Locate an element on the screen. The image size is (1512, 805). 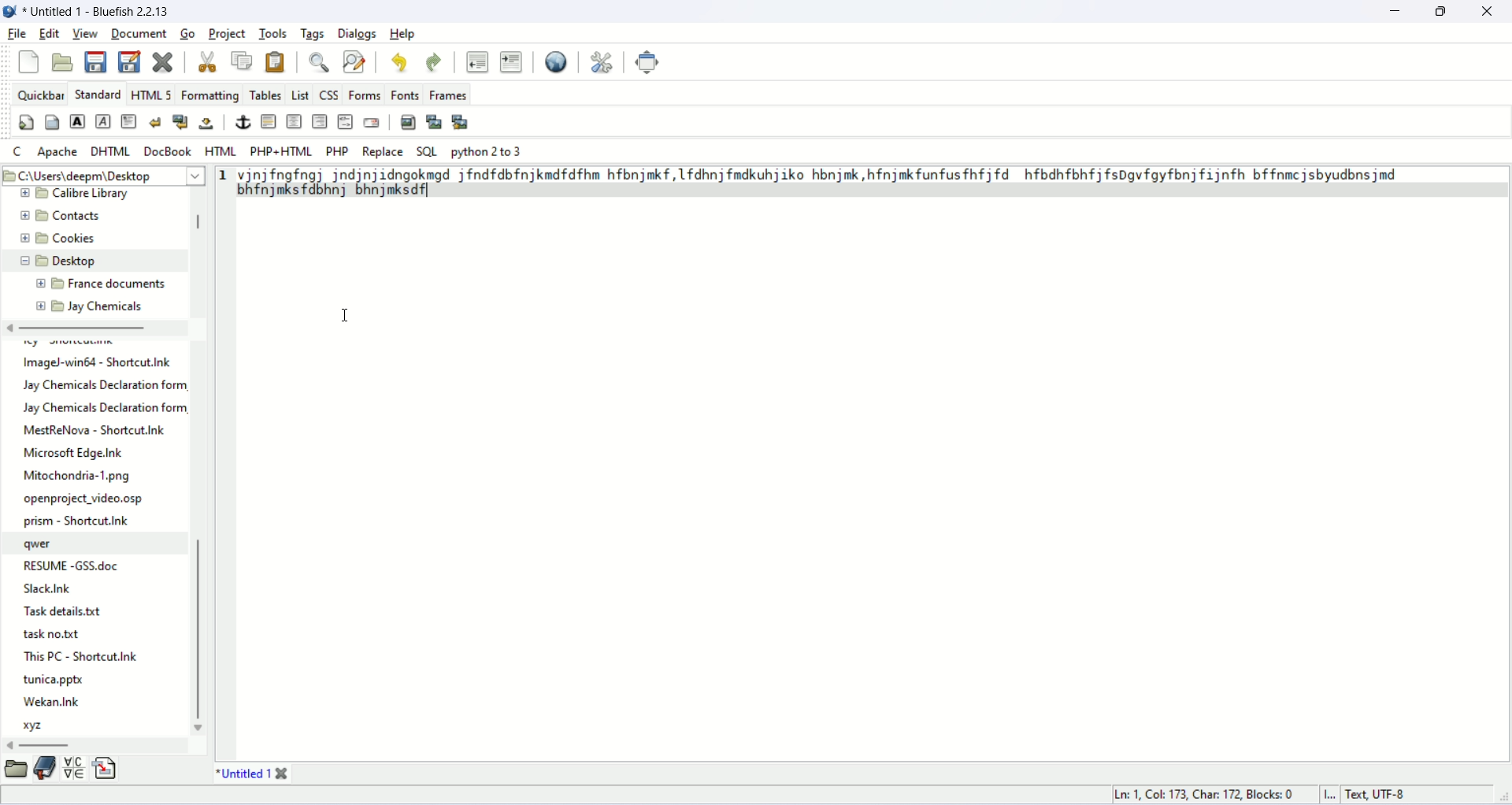
indent is located at coordinates (513, 62).